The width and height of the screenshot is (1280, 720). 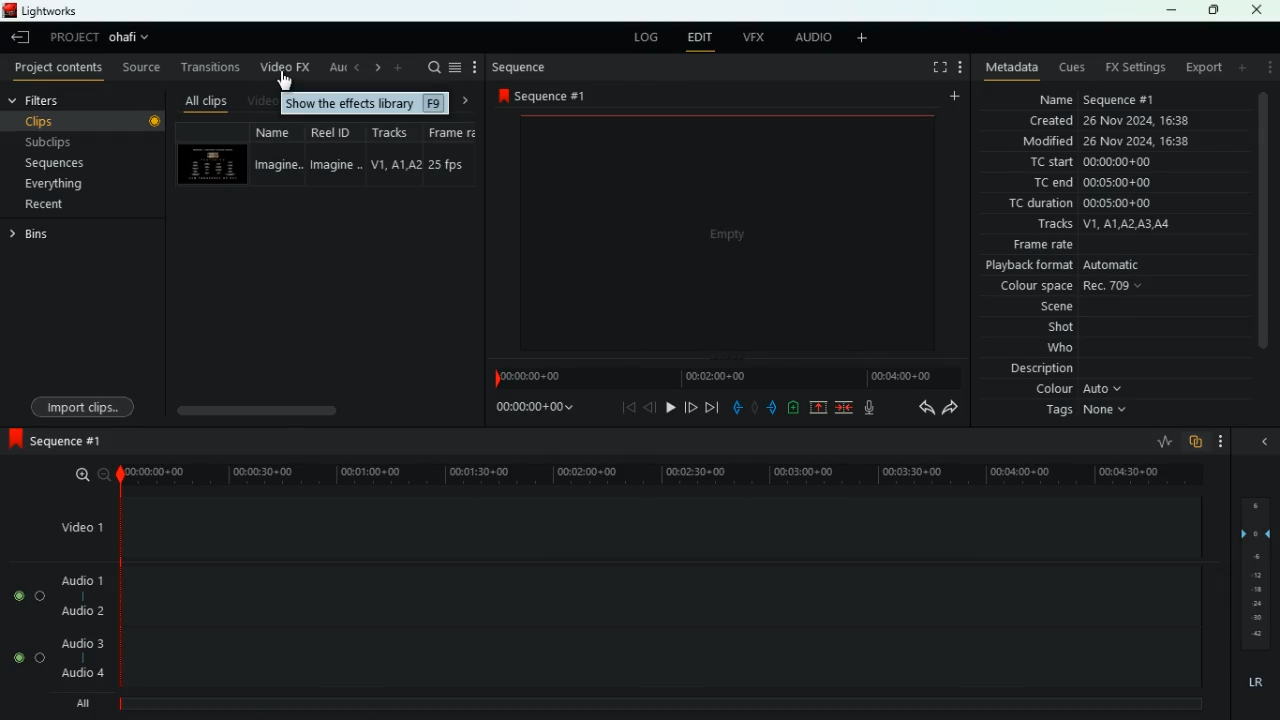 I want to click on export, so click(x=1203, y=67).